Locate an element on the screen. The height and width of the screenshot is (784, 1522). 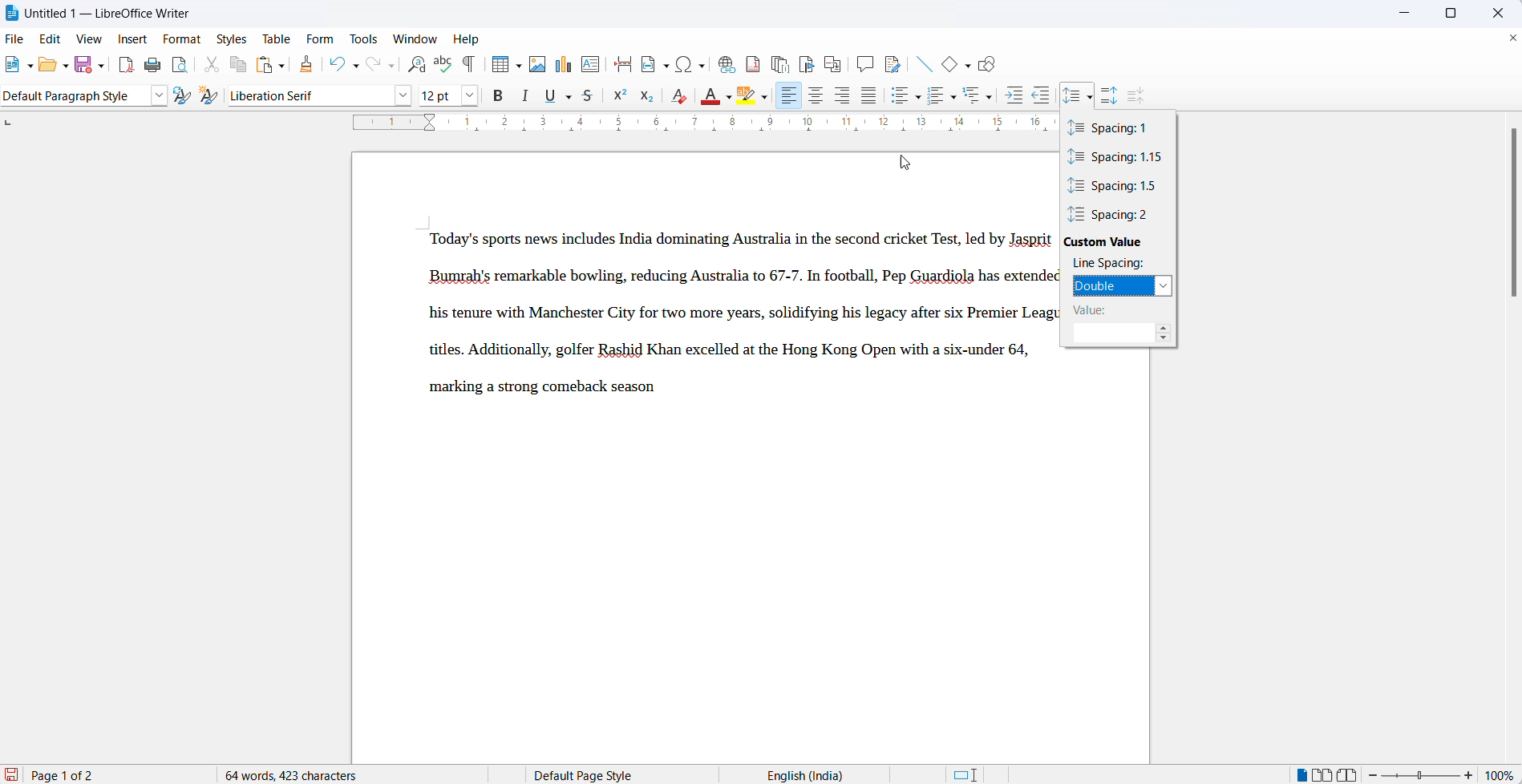
redo is located at coordinates (370, 66).